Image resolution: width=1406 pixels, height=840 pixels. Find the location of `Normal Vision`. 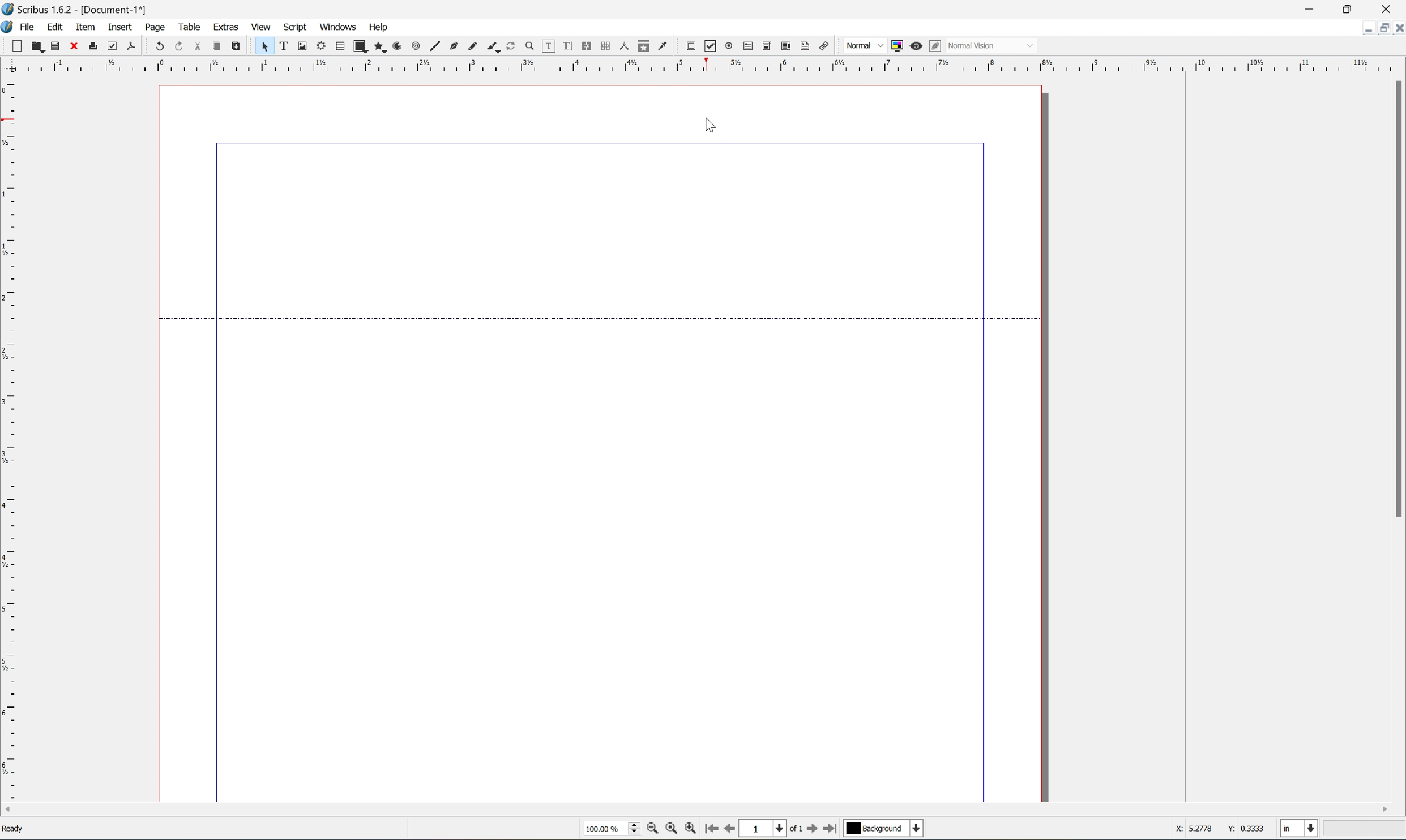

Normal Vision is located at coordinates (990, 47).